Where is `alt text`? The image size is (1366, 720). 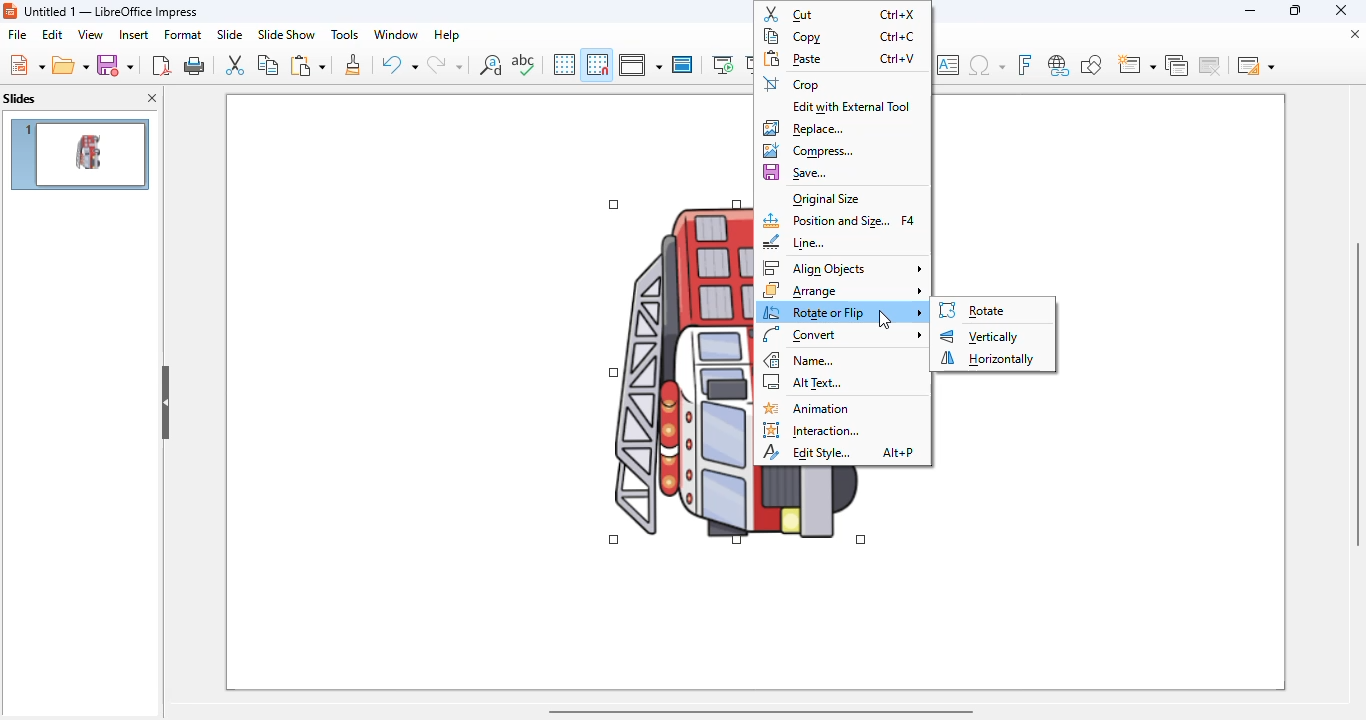 alt text is located at coordinates (804, 382).